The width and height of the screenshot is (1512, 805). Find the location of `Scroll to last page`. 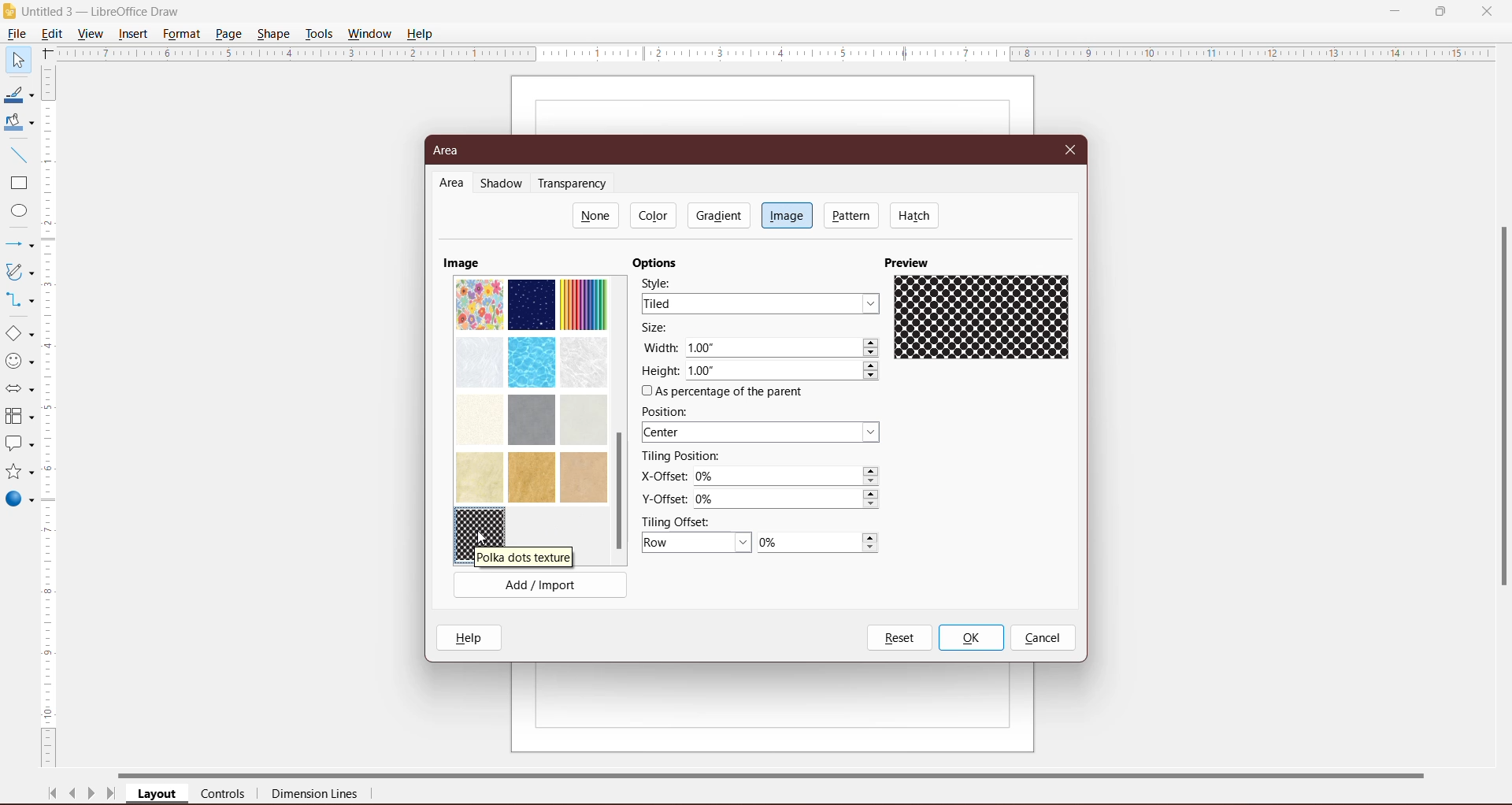

Scroll to last page is located at coordinates (112, 796).